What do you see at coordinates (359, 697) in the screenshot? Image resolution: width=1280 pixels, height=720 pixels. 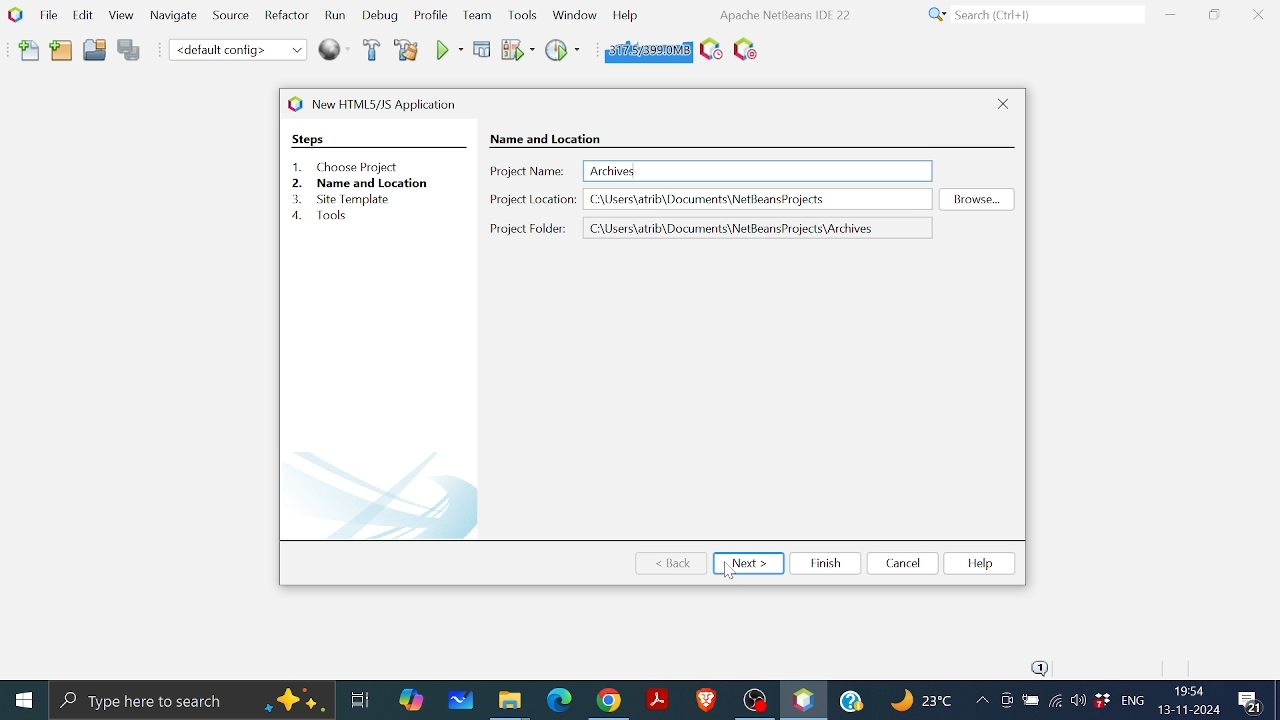 I see `Task view` at bounding box center [359, 697].